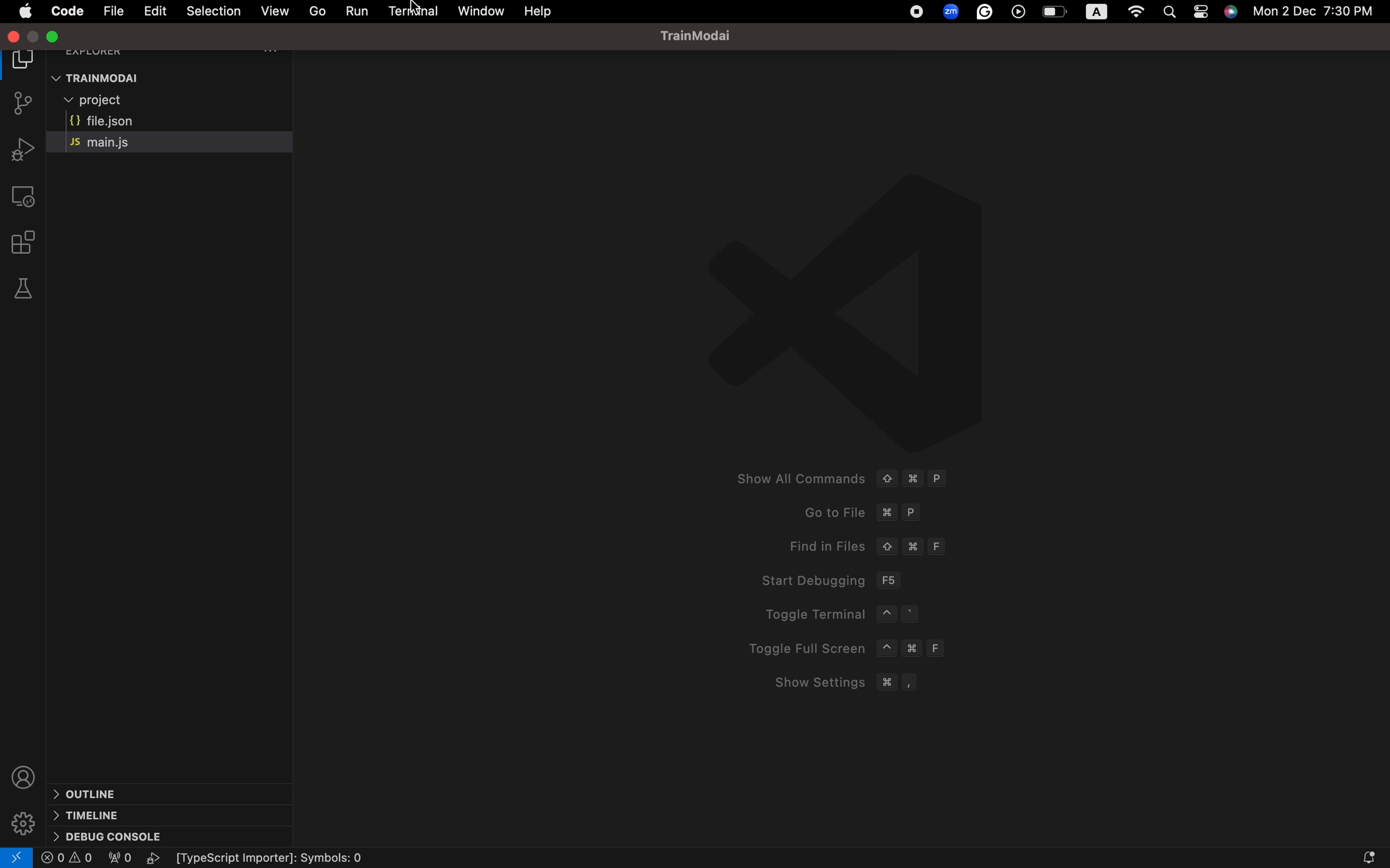 Image resolution: width=1390 pixels, height=868 pixels. What do you see at coordinates (68, 858) in the screenshot?
I see `0` at bounding box center [68, 858].